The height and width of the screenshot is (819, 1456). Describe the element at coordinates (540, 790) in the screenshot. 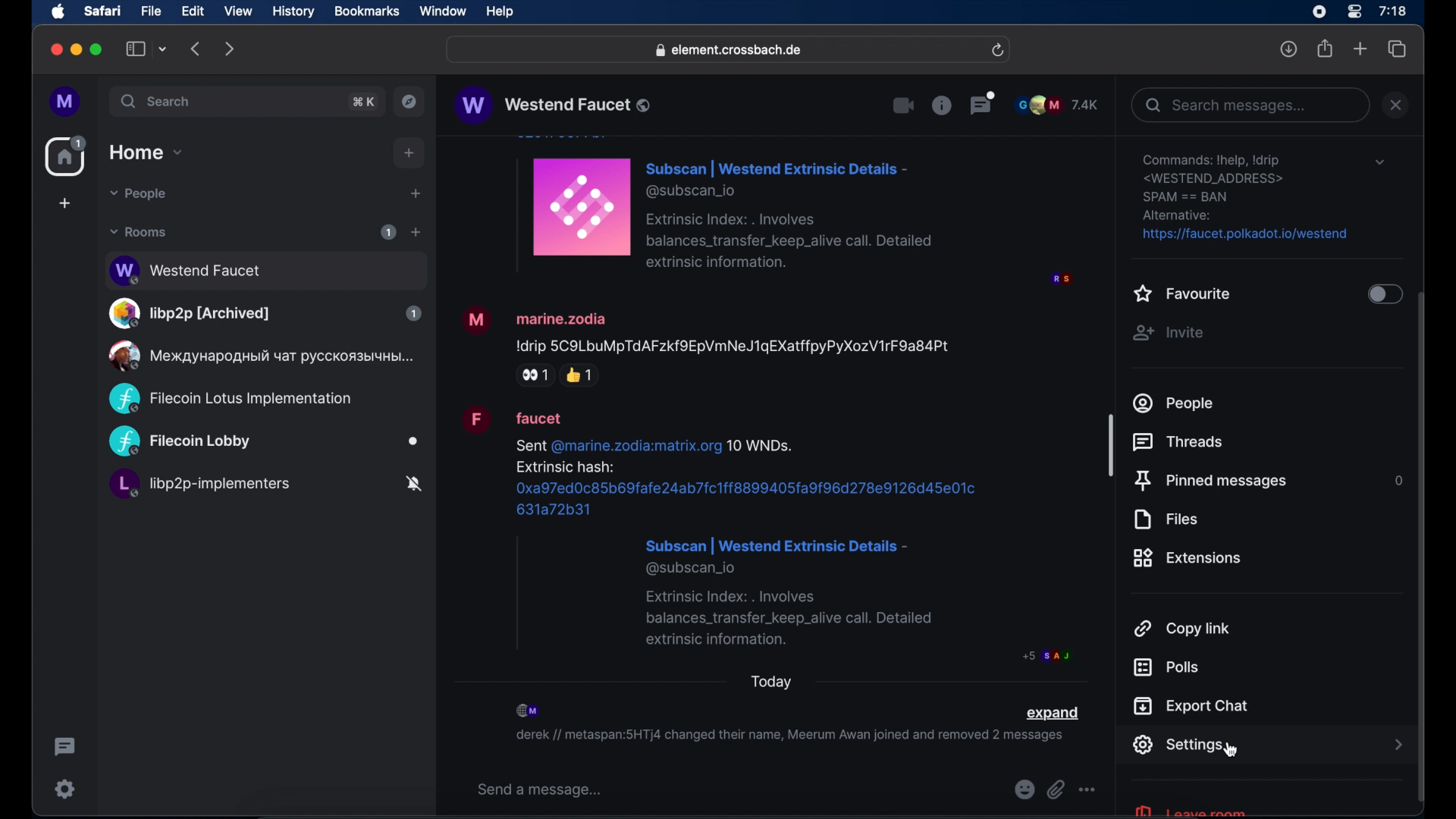

I see `send a message` at that location.